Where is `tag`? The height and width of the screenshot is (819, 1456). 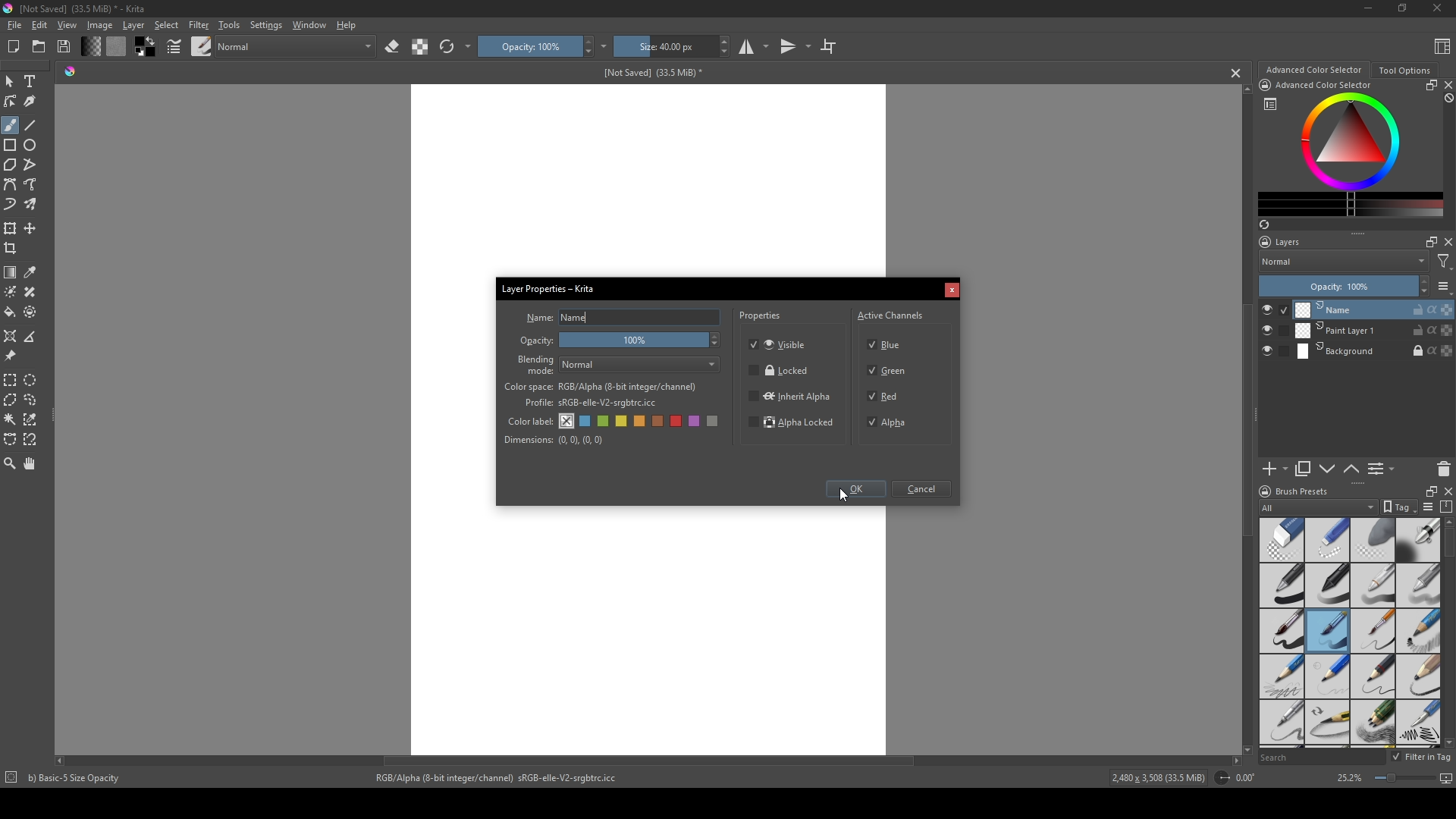
tag is located at coordinates (1398, 507).